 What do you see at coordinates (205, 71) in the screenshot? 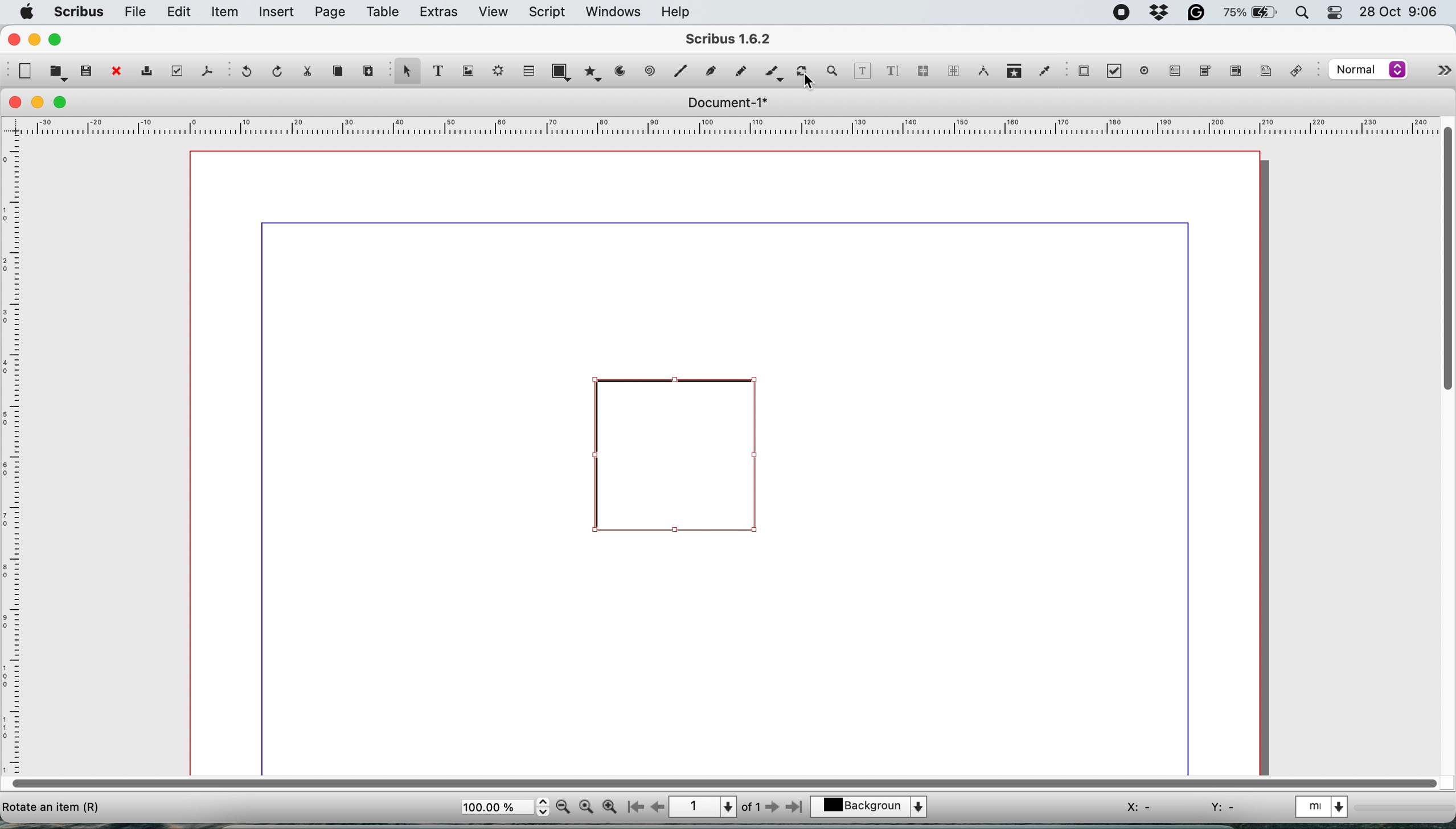
I see `save as pdf` at bounding box center [205, 71].